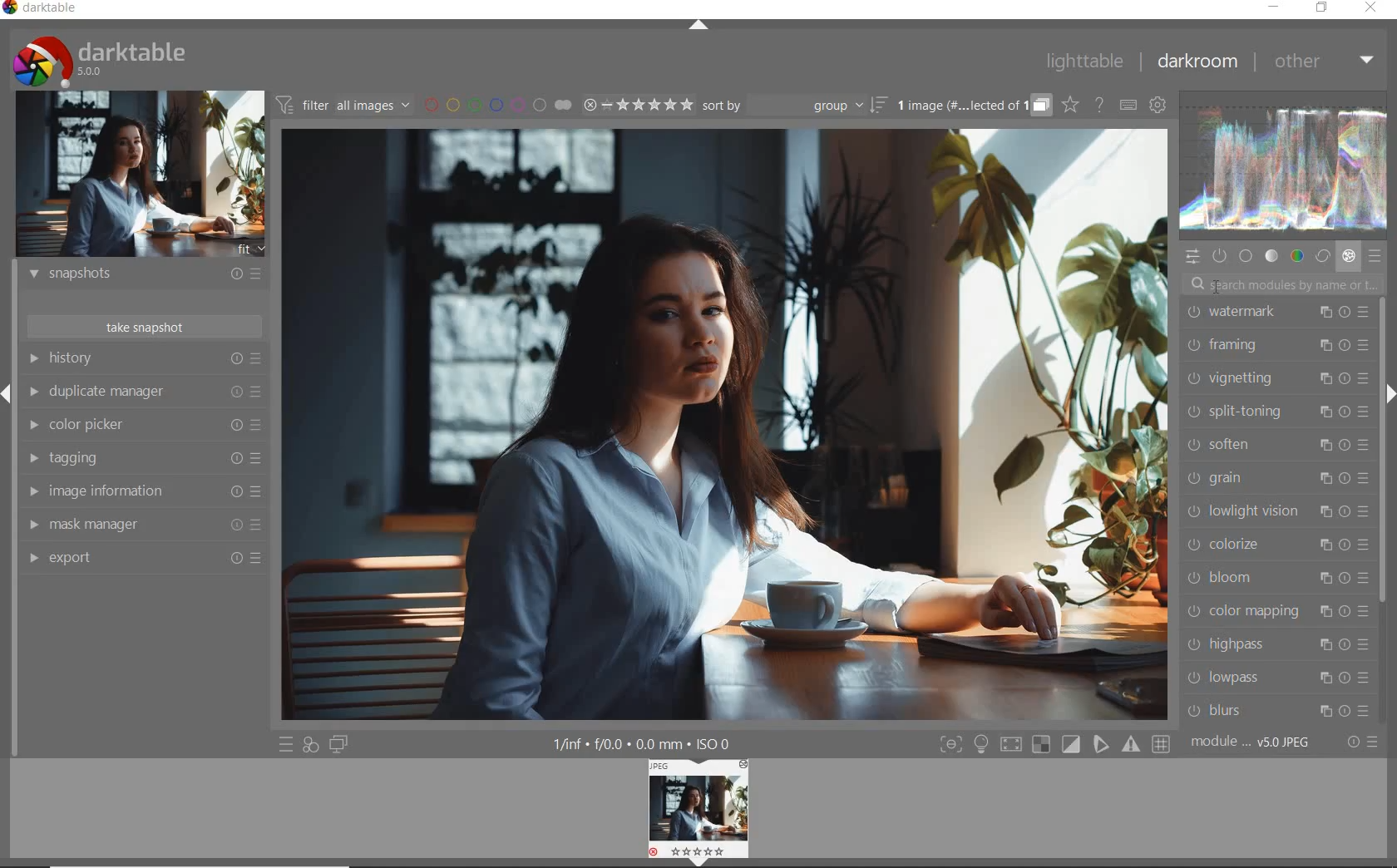 Image resolution: width=1397 pixels, height=868 pixels. Describe the element at coordinates (144, 393) in the screenshot. I see `duplicate manager` at that location.